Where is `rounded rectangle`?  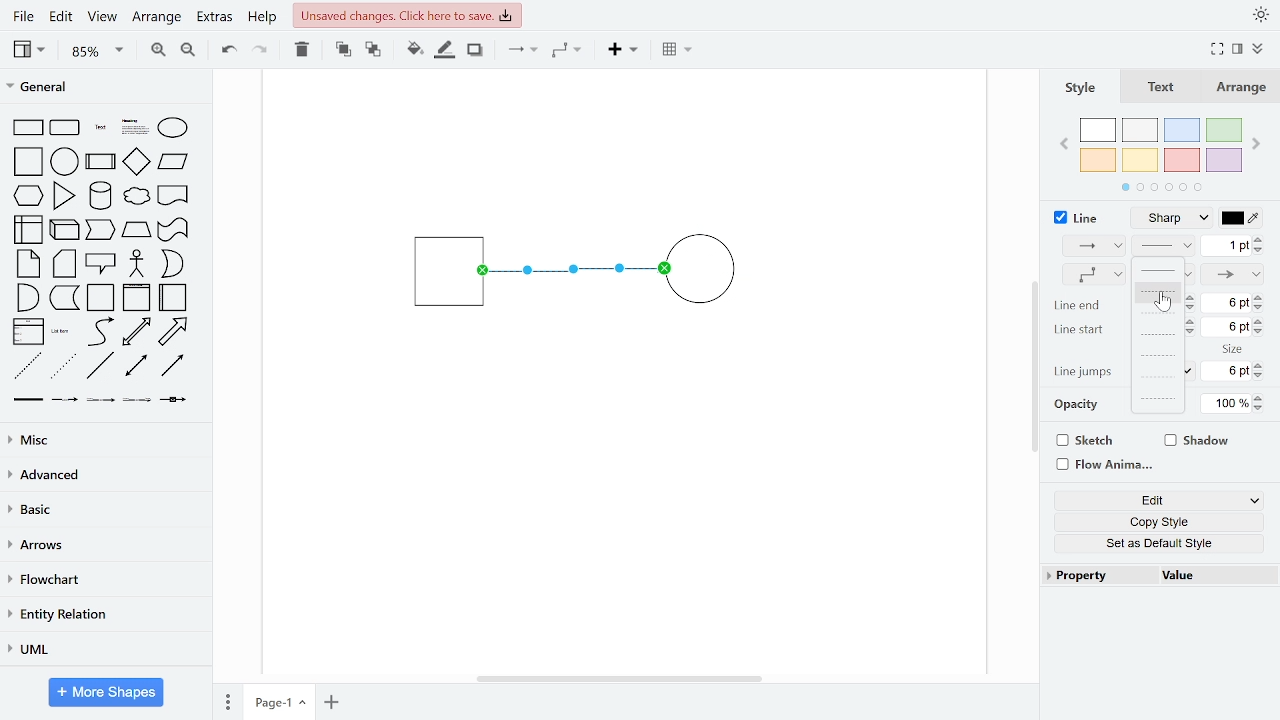
rounded rectangle is located at coordinates (66, 129).